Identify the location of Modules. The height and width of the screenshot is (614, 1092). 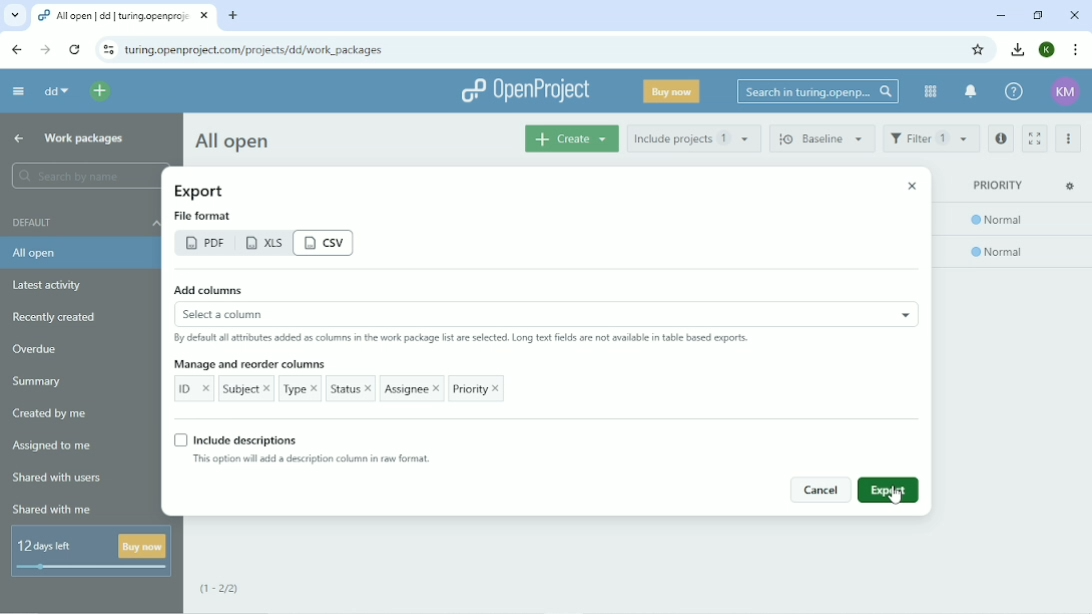
(929, 91).